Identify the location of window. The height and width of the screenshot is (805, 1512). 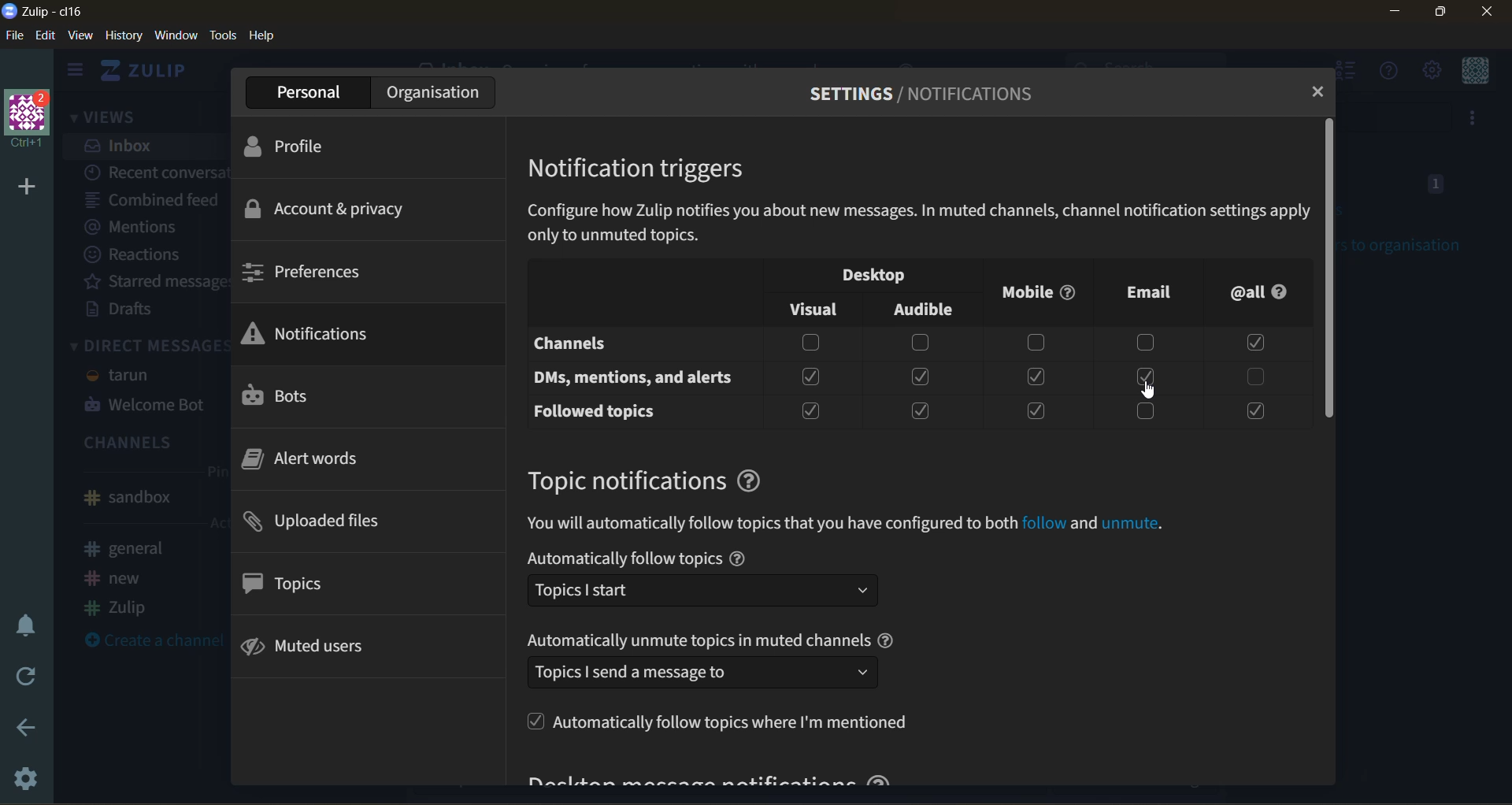
(177, 36).